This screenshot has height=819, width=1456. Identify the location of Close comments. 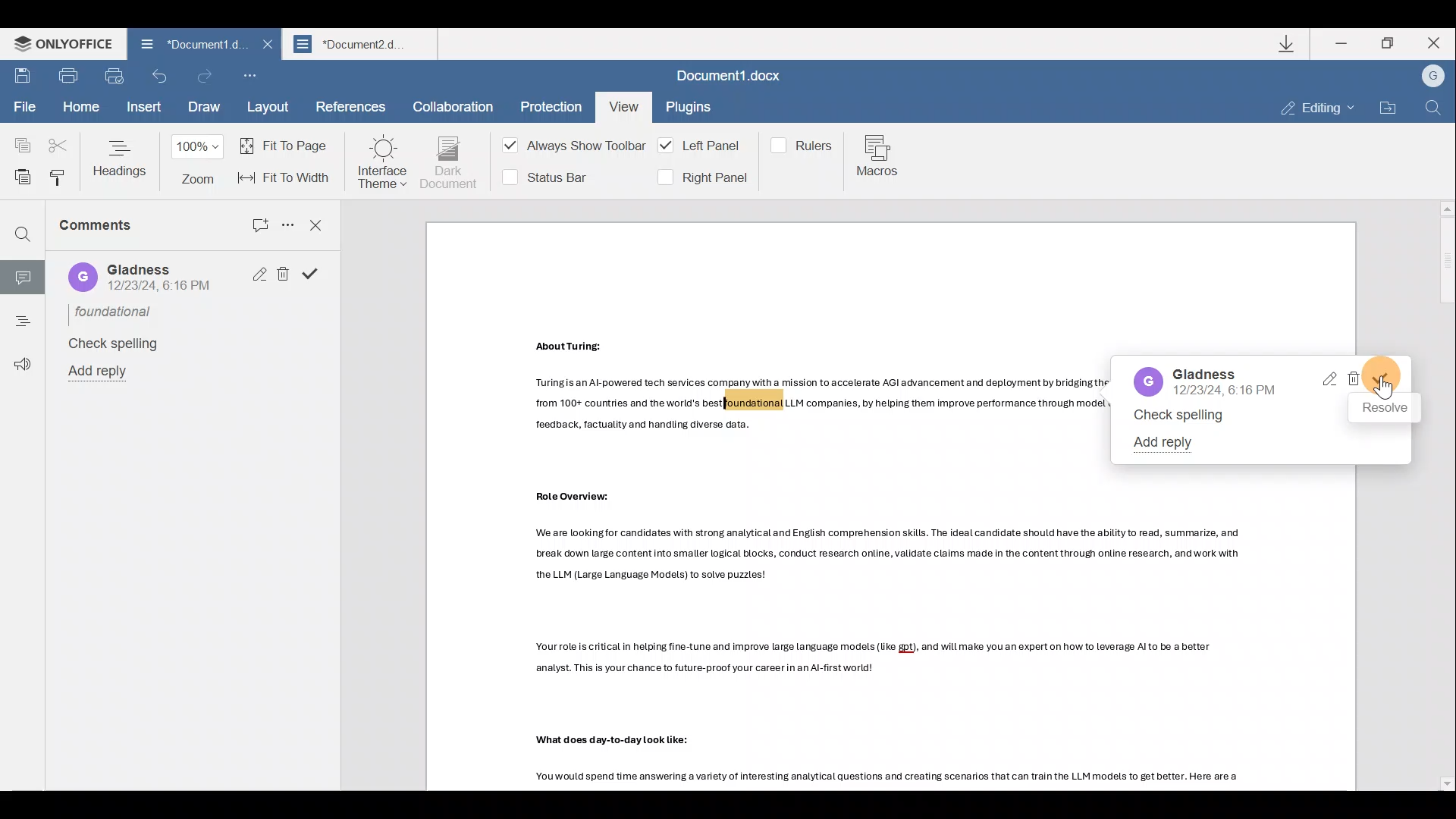
(317, 224).